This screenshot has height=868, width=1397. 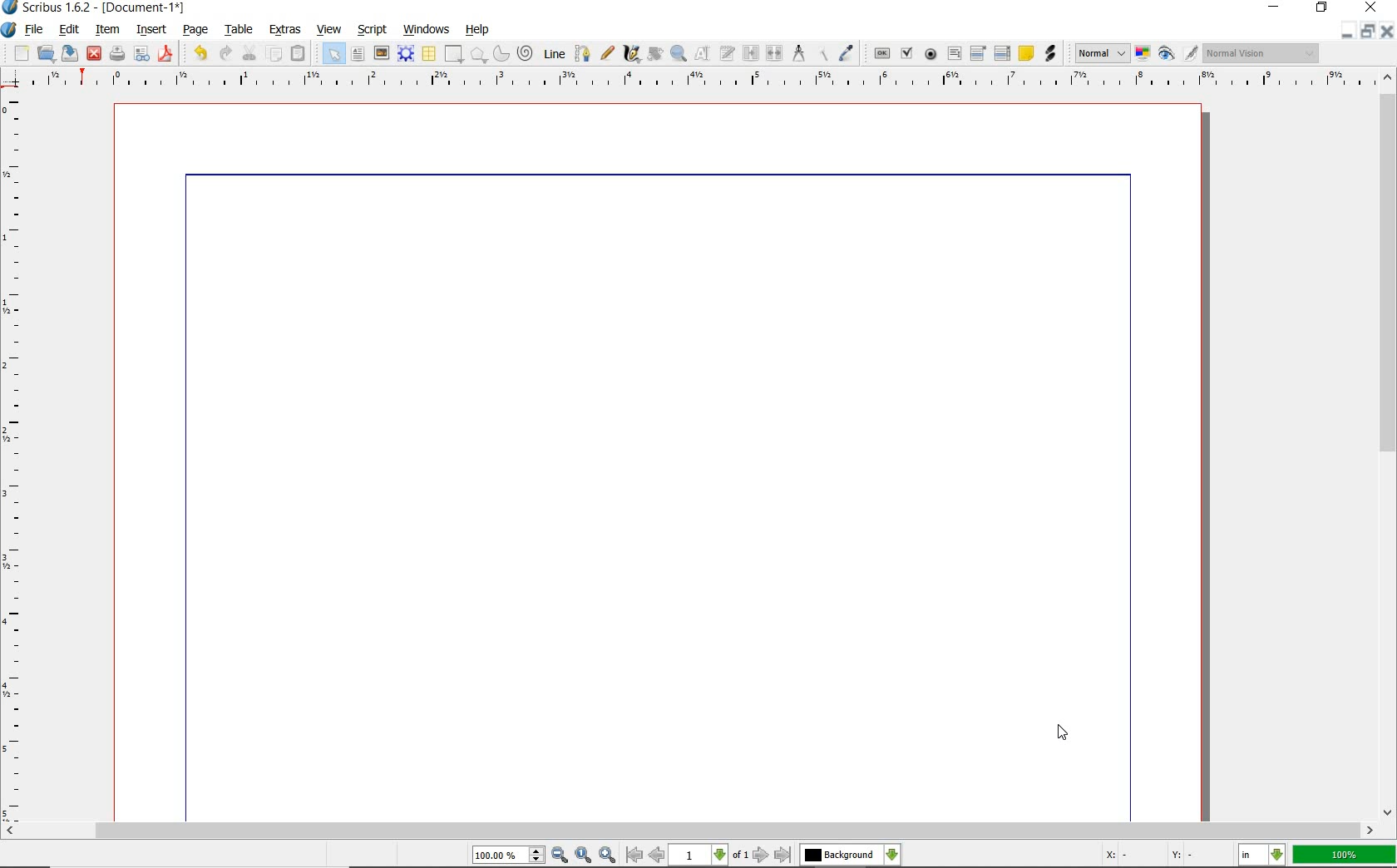 What do you see at coordinates (1389, 31) in the screenshot?
I see `close` at bounding box center [1389, 31].